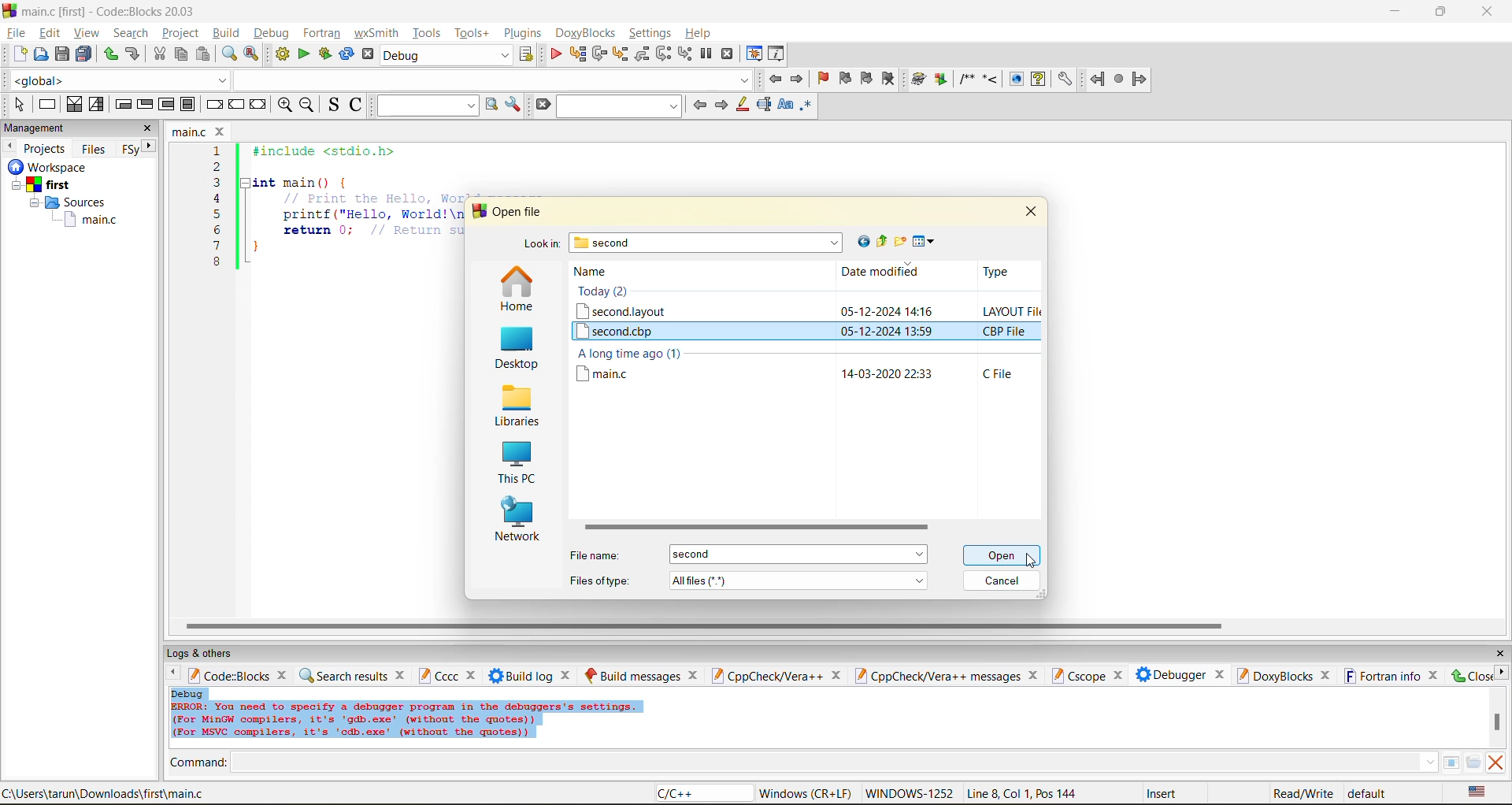 The height and width of the screenshot is (805, 1512). I want to click on view, so click(88, 32).